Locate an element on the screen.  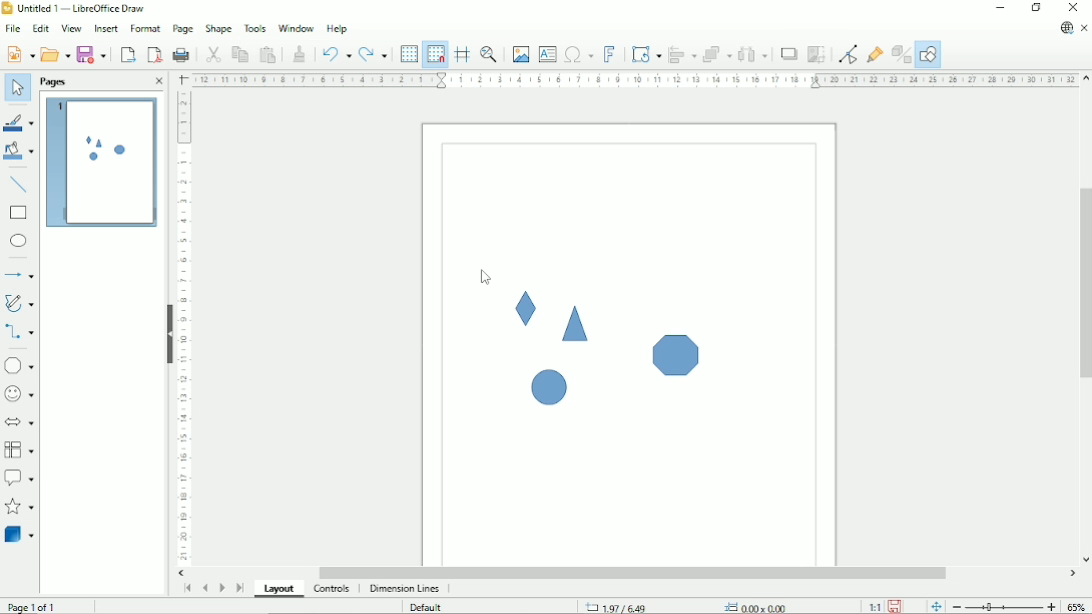
Update available is located at coordinates (1066, 28).